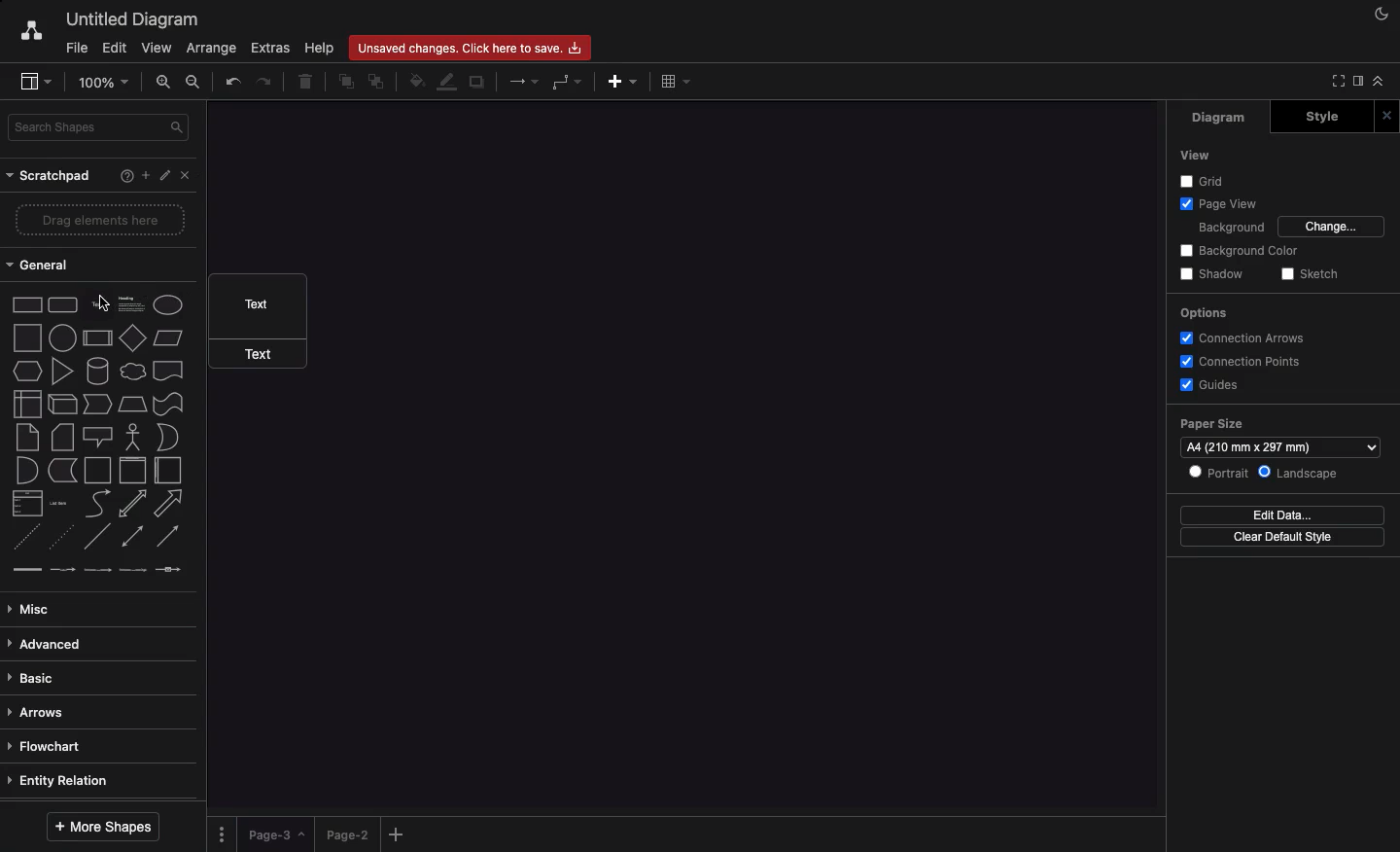 This screenshot has height=852, width=1400. I want to click on Trash, so click(306, 83).